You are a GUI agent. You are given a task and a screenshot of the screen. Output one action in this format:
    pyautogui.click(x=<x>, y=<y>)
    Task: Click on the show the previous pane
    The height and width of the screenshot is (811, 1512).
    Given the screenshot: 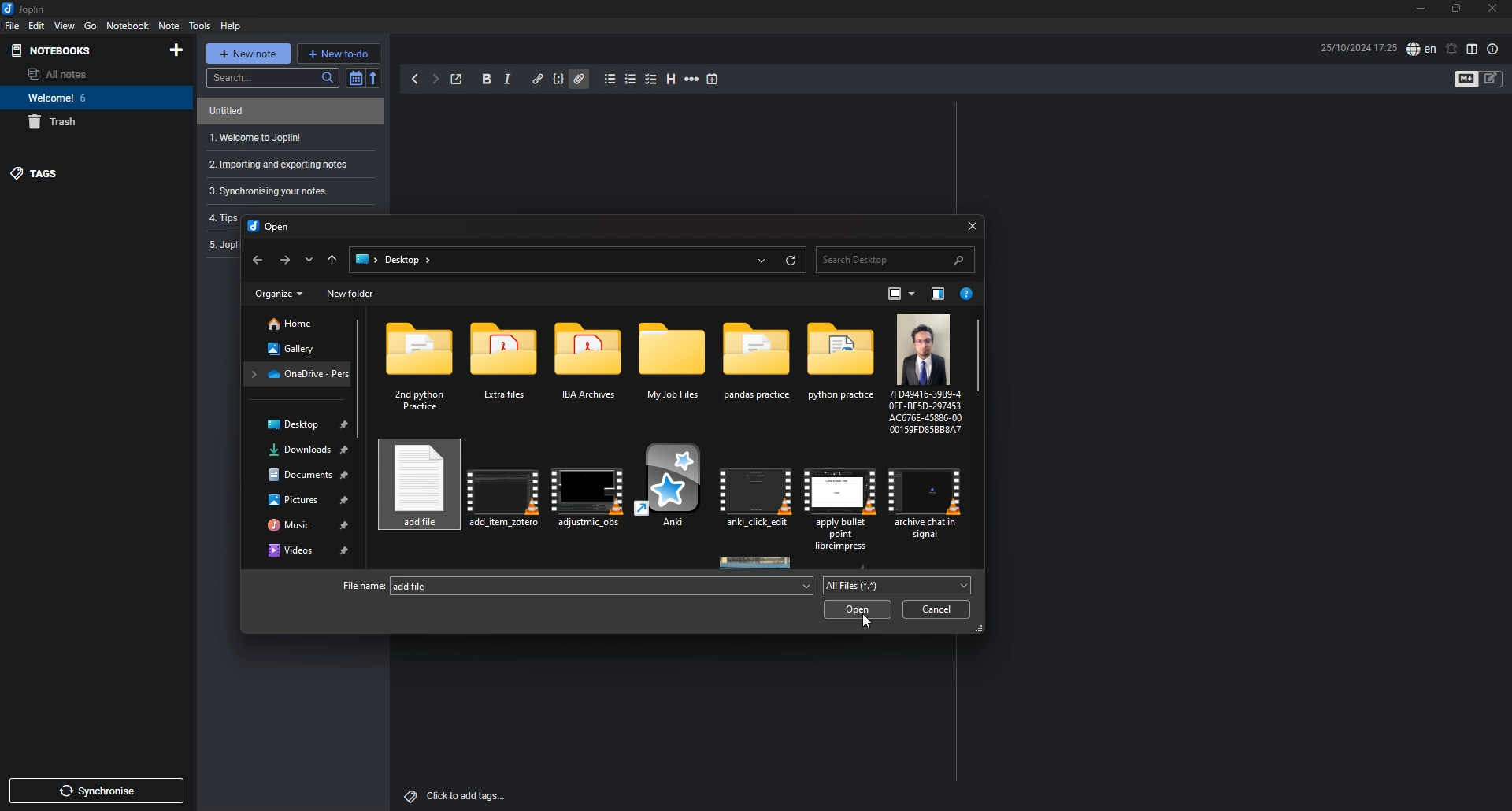 What is the action you would take?
    pyautogui.click(x=938, y=294)
    